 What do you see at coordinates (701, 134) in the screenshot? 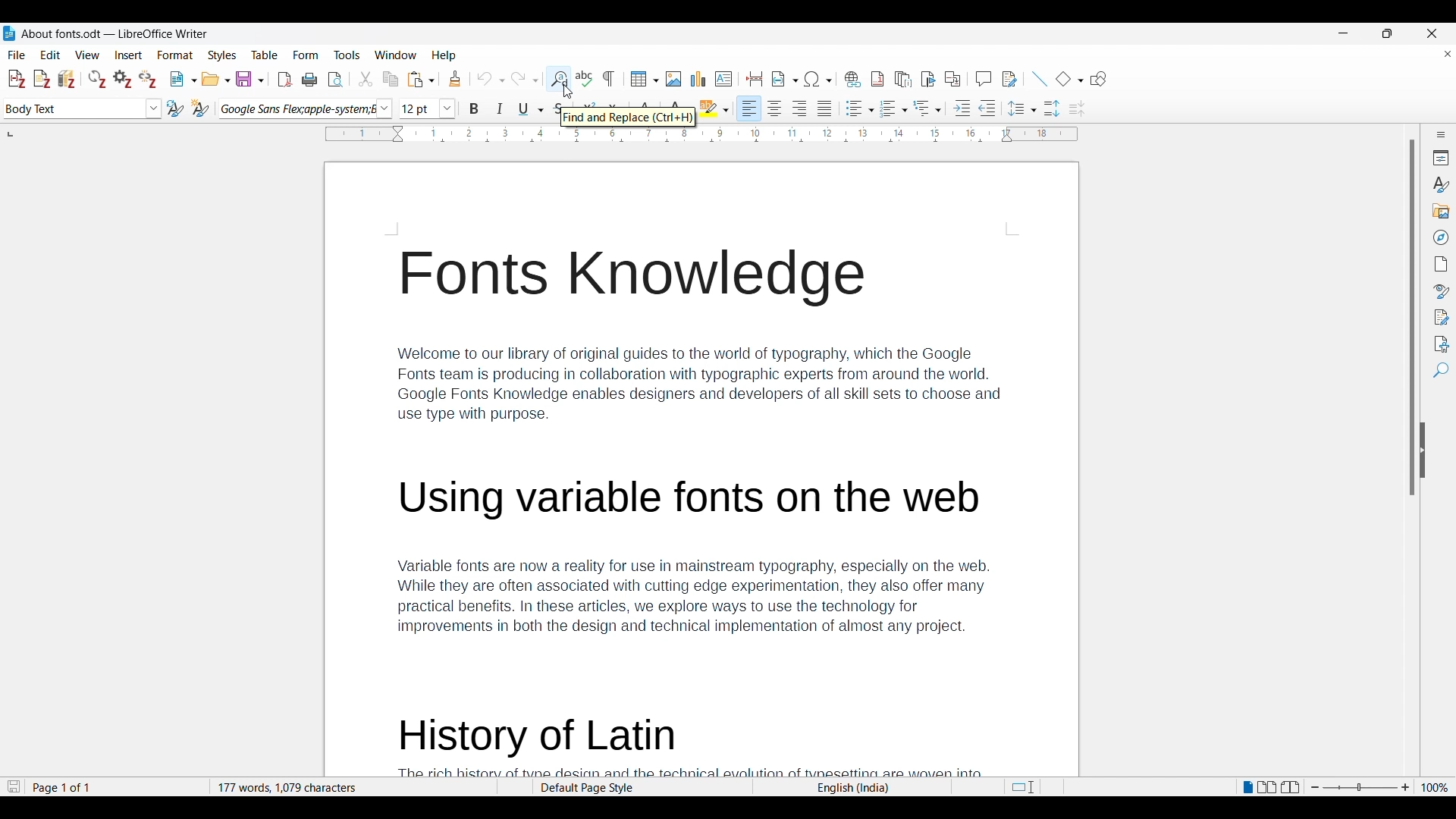
I see `Page horizontal ruler` at bounding box center [701, 134].